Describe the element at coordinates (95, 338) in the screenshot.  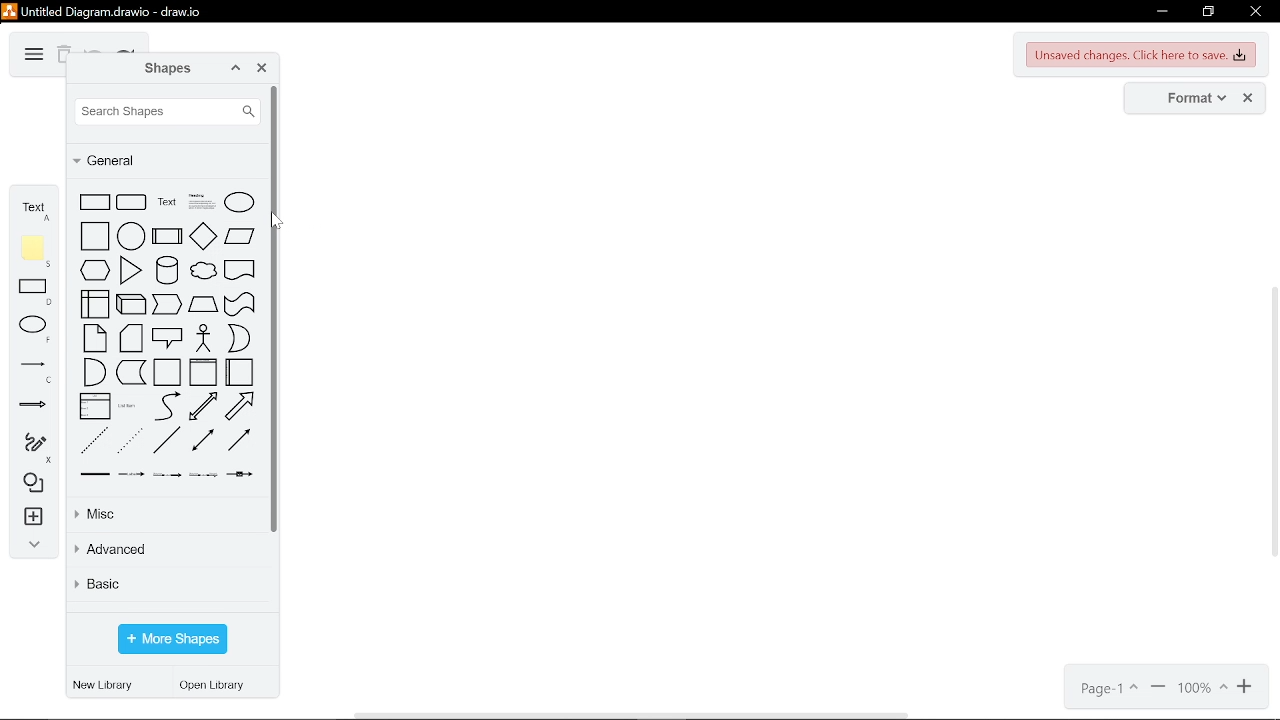
I see `note` at that location.